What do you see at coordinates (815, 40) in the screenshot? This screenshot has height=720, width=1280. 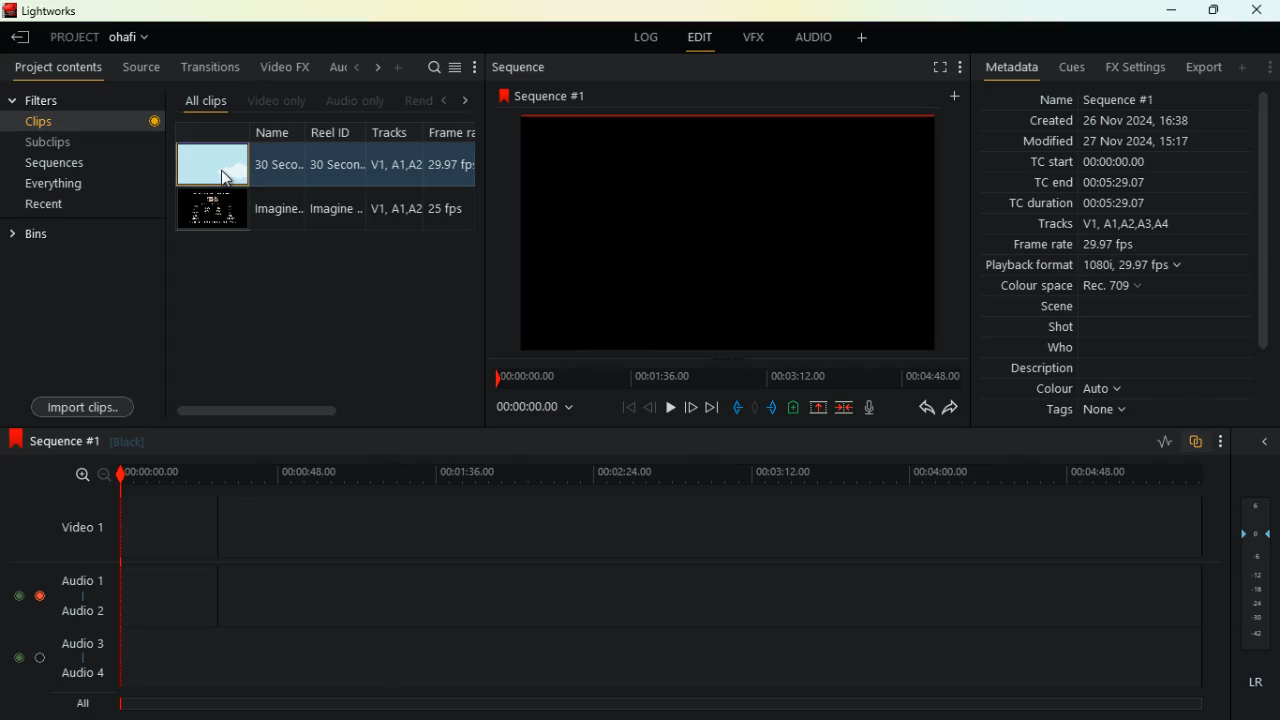 I see `audio` at bounding box center [815, 40].